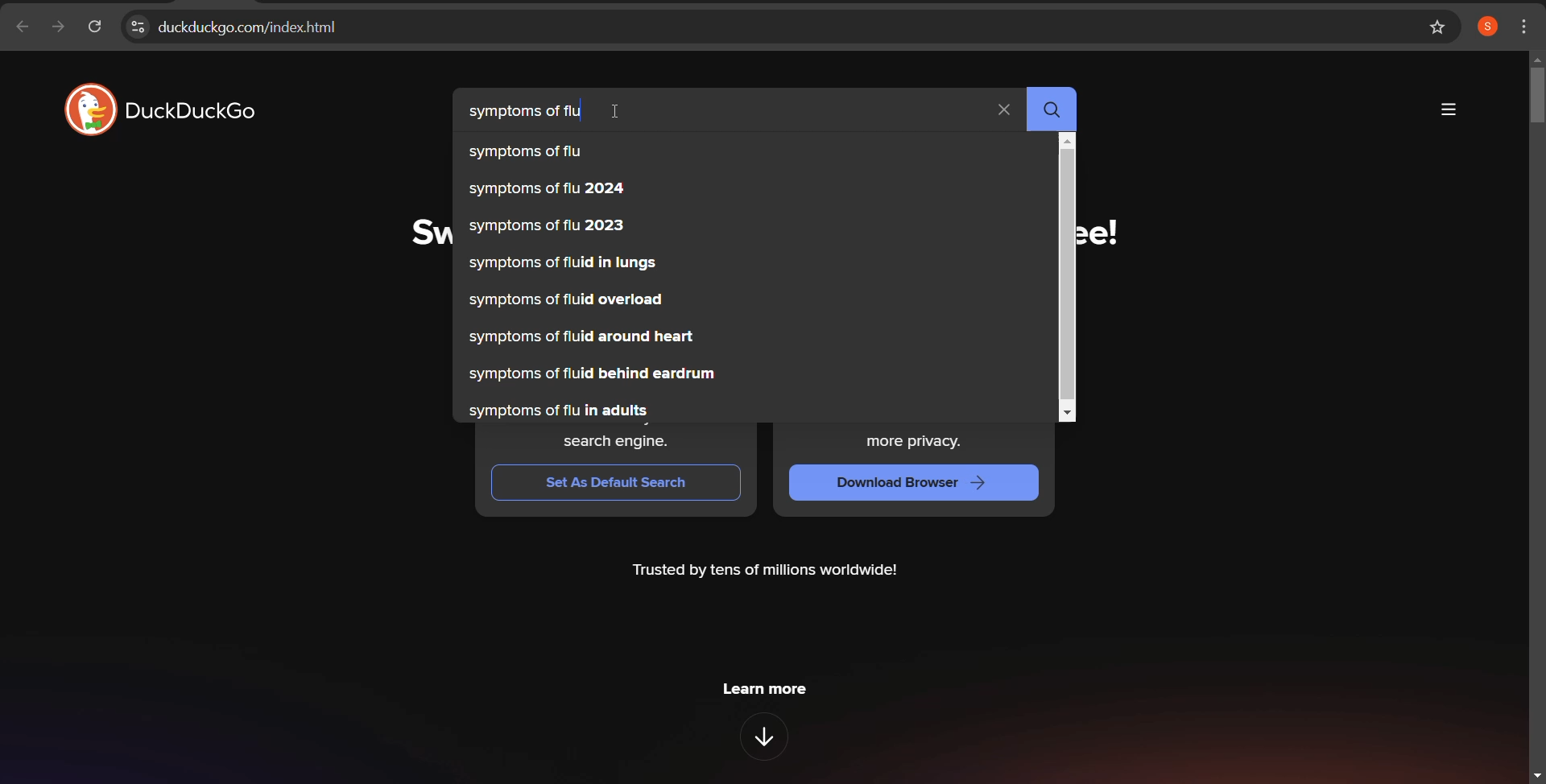 Image resolution: width=1546 pixels, height=784 pixels. I want to click on search term, so click(526, 111).